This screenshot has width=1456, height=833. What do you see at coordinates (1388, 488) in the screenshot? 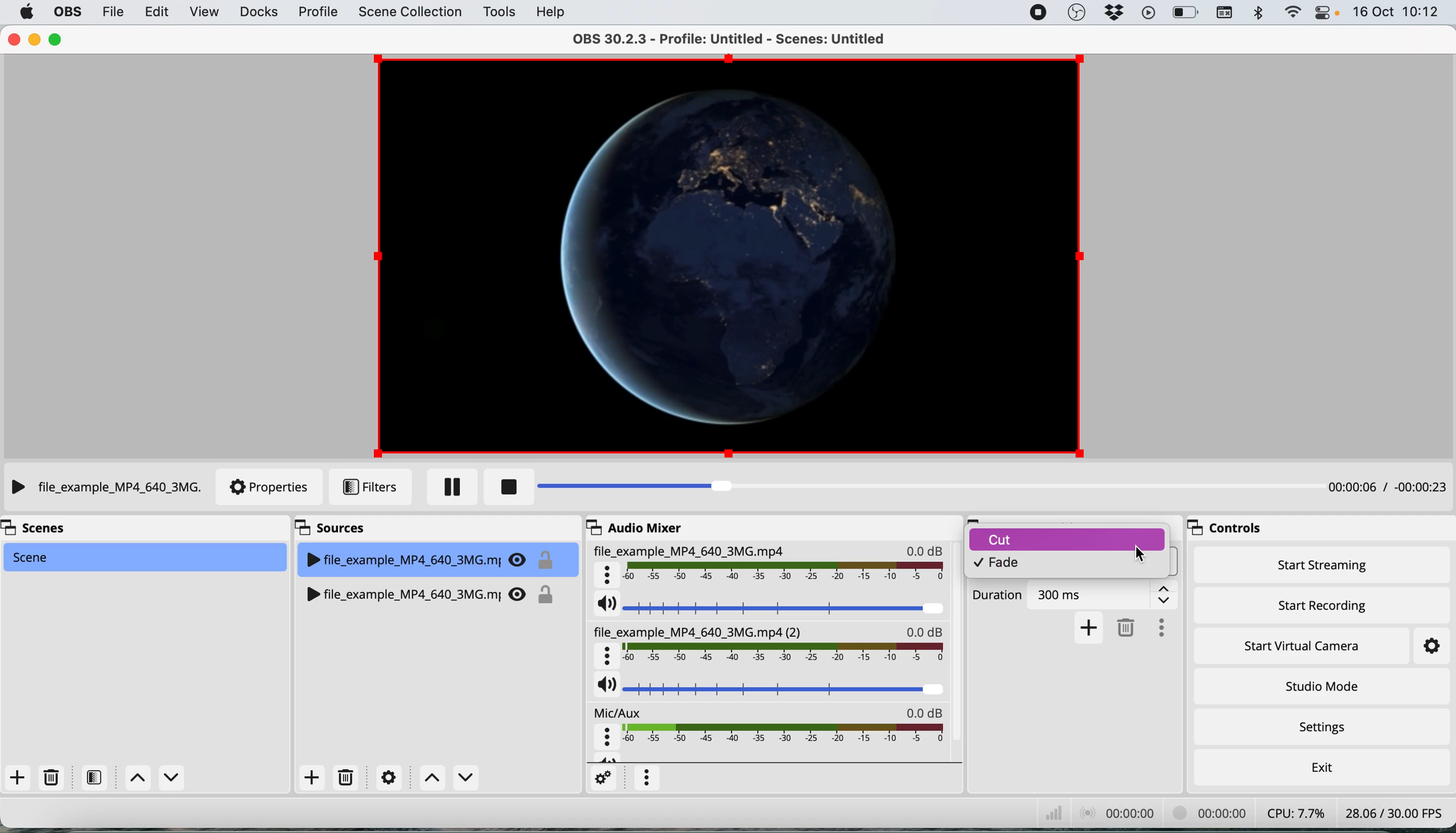
I see `00:00:06 / 00:00:23` at bounding box center [1388, 488].